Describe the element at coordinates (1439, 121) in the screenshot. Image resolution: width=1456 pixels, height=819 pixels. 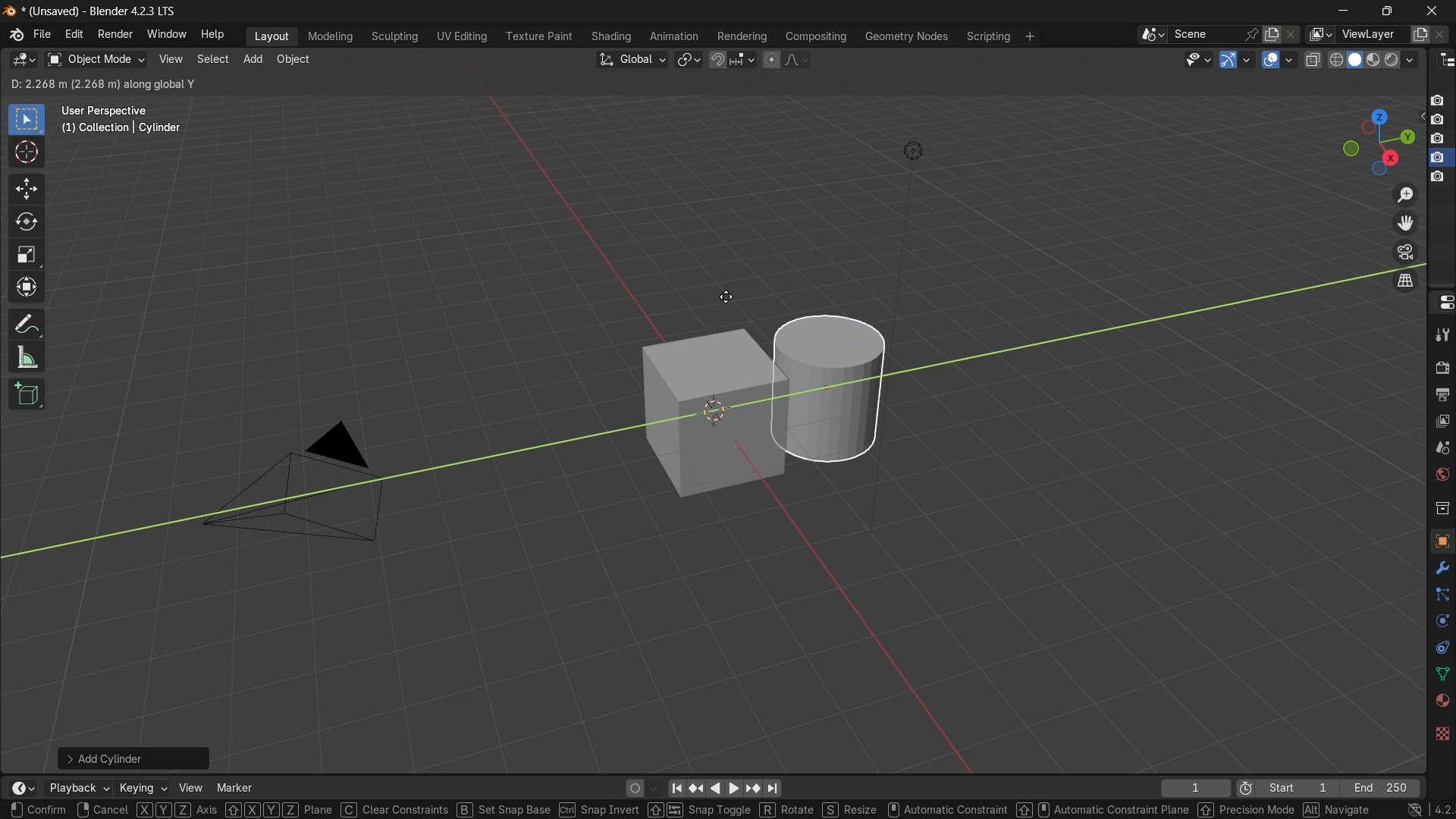
I see `capture` at that location.